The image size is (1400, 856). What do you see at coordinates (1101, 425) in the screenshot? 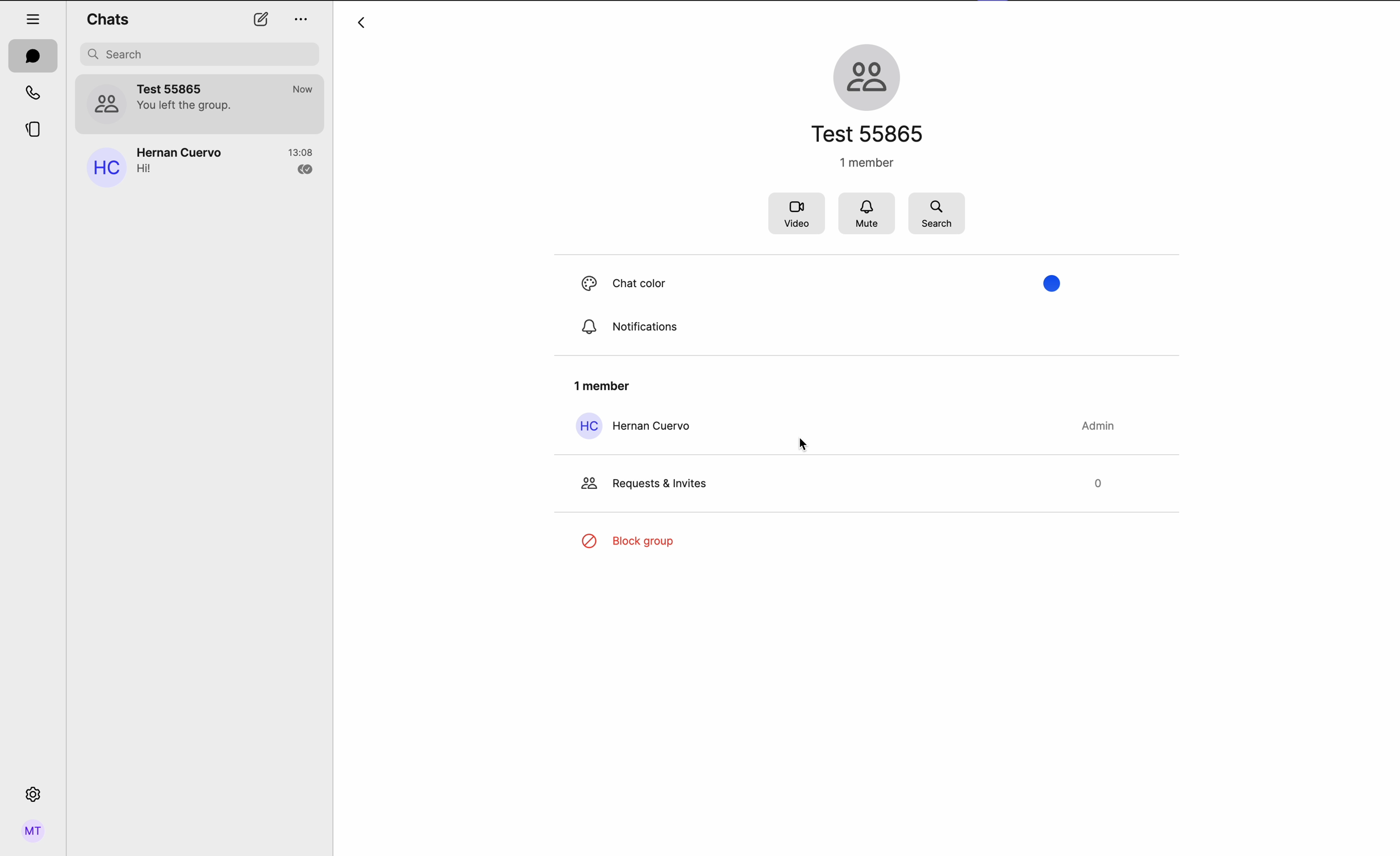
I see `Admin` at bounding box center [1101, 425].